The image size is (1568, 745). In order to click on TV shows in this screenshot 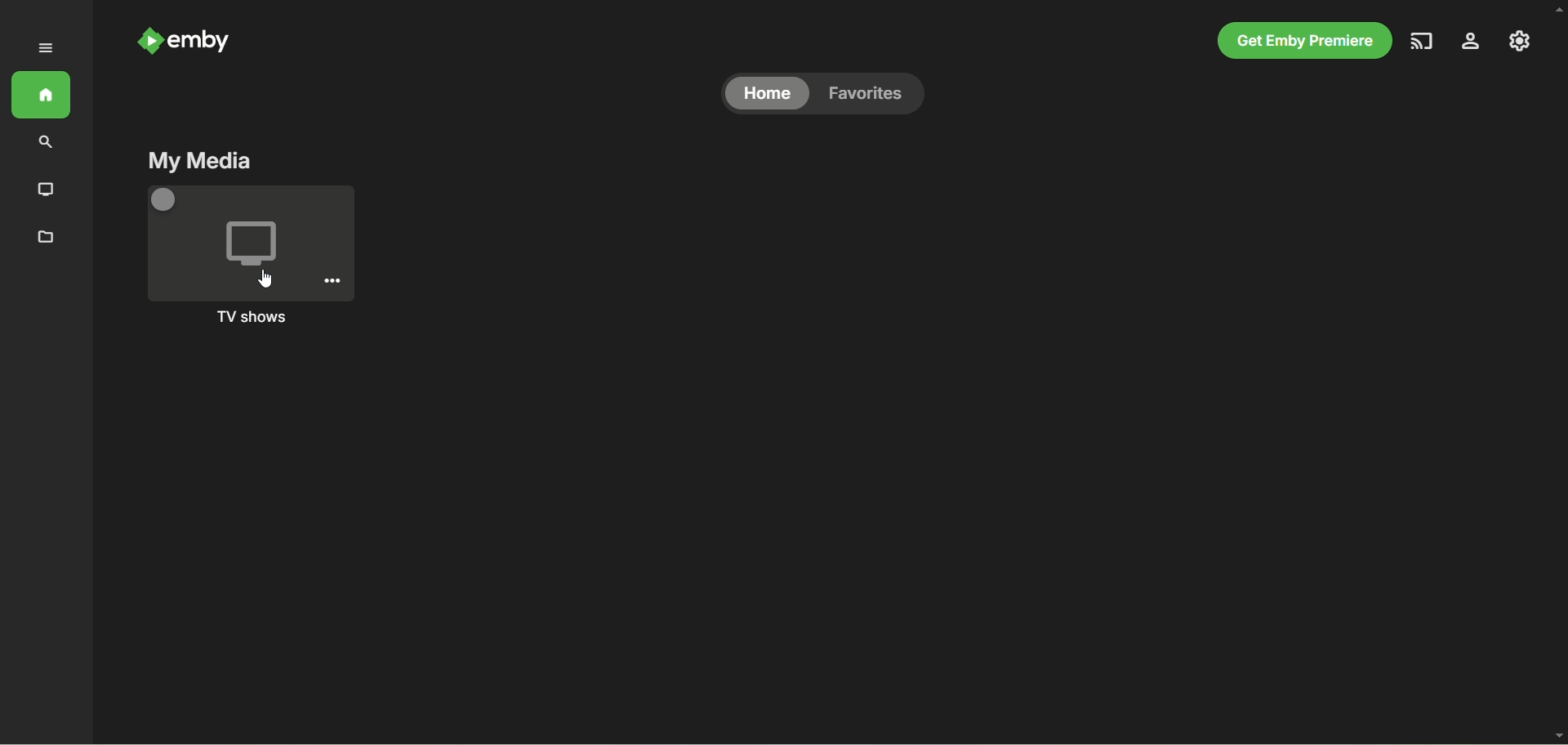, I will do `click(43, 189)`.